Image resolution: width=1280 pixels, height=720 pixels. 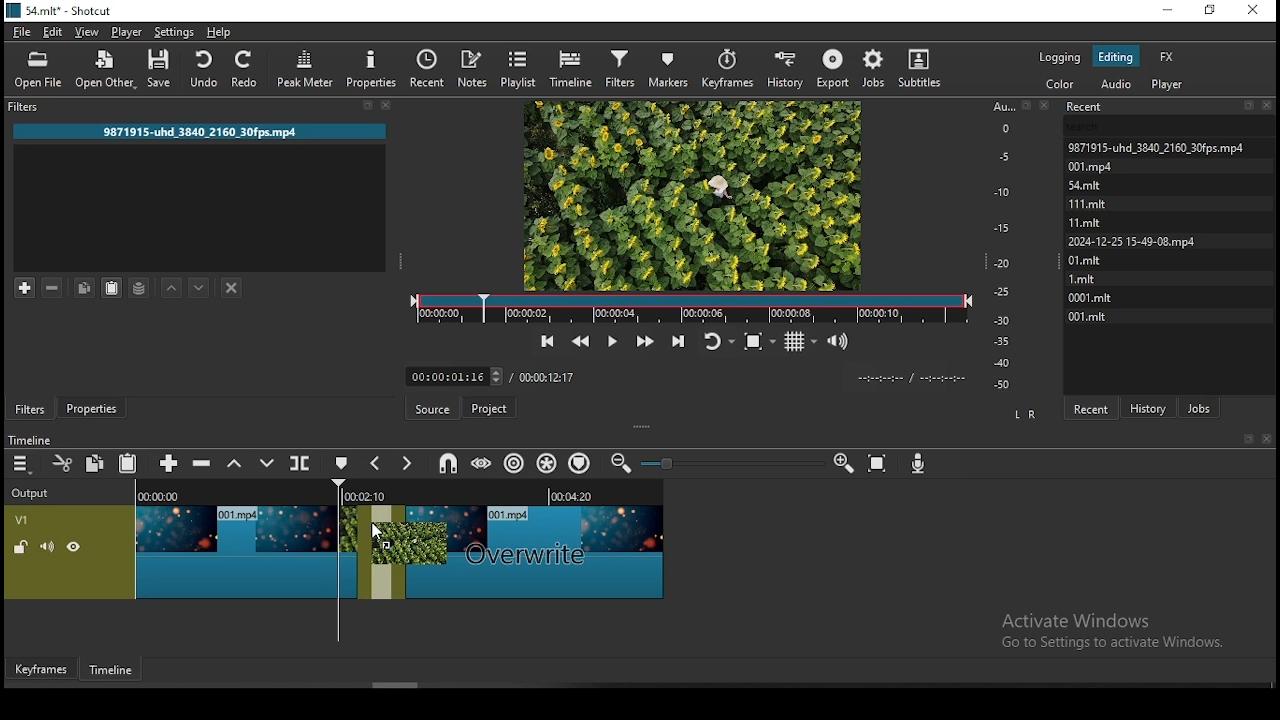 I want to click on restore, so click(x=1211, y=13).